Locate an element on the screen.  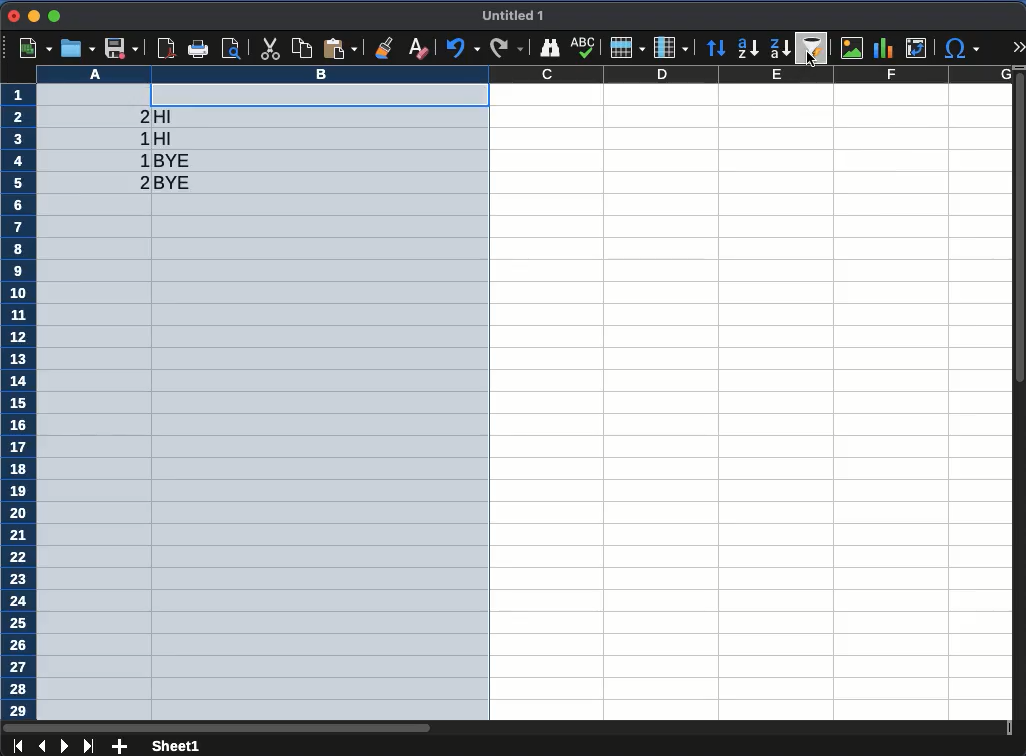
redo is located at coordinates (505, 48).